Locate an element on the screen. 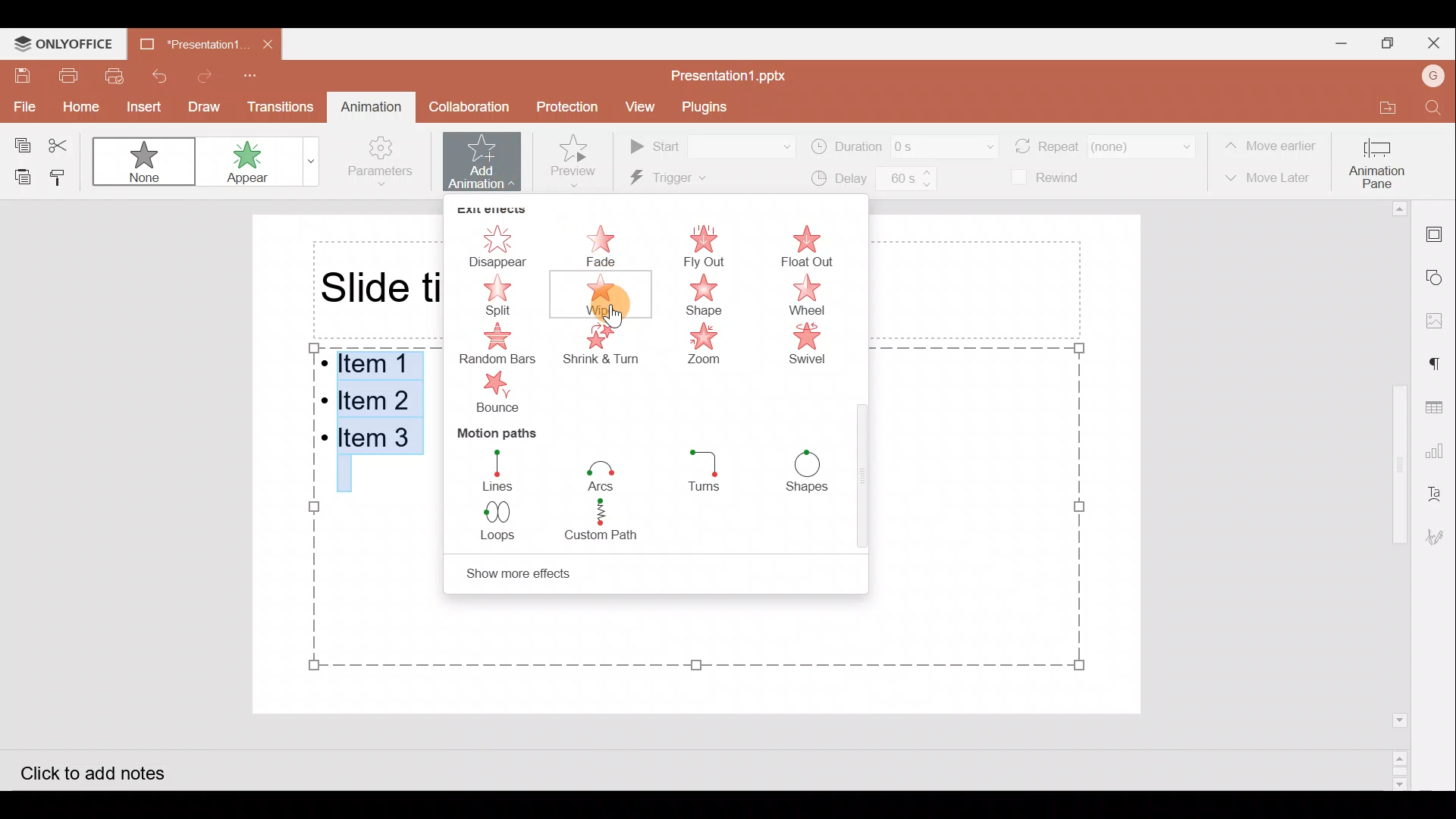  None is located at coordinates (141, 160).